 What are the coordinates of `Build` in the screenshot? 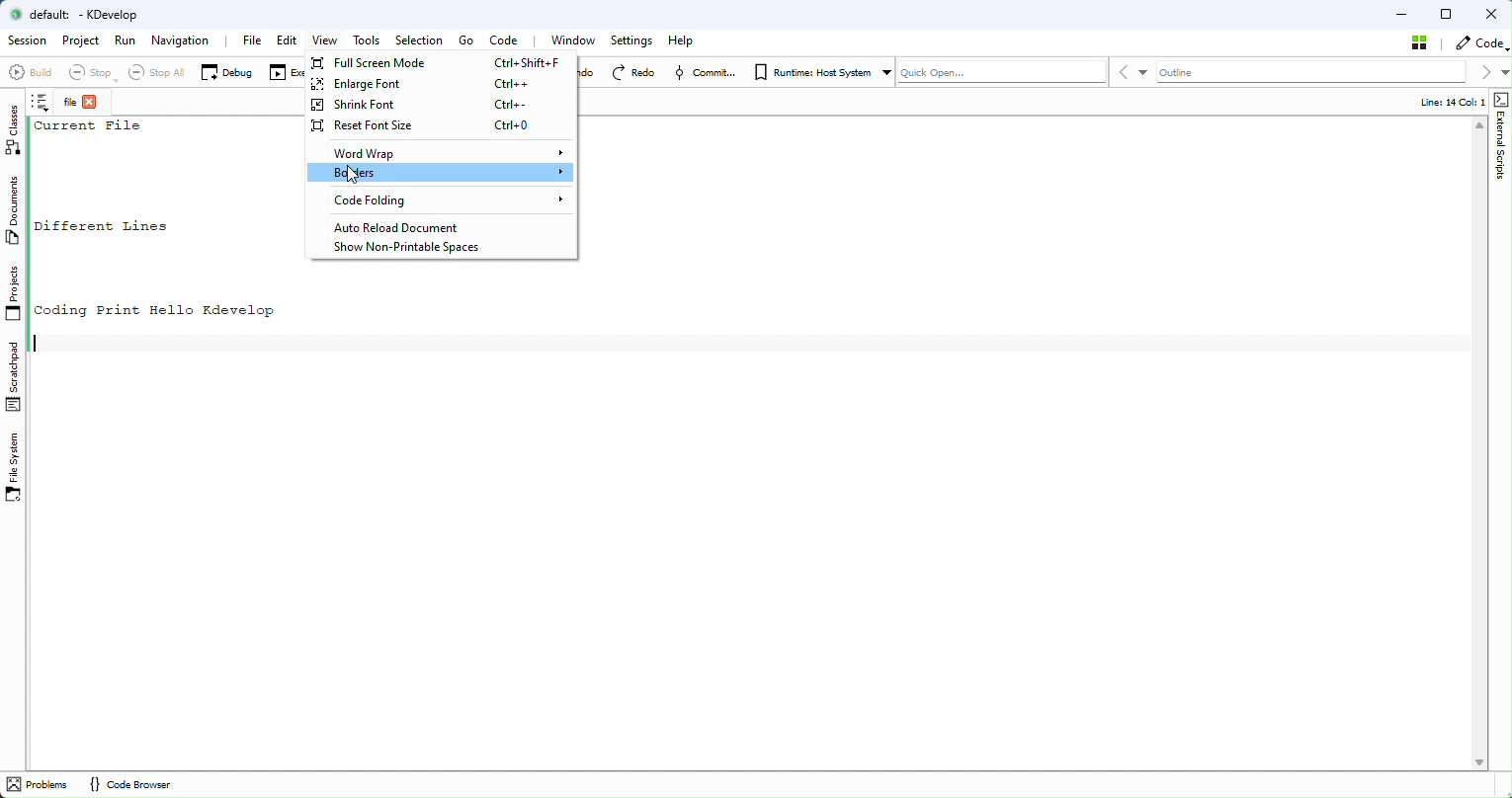 It's located at (30, 75).